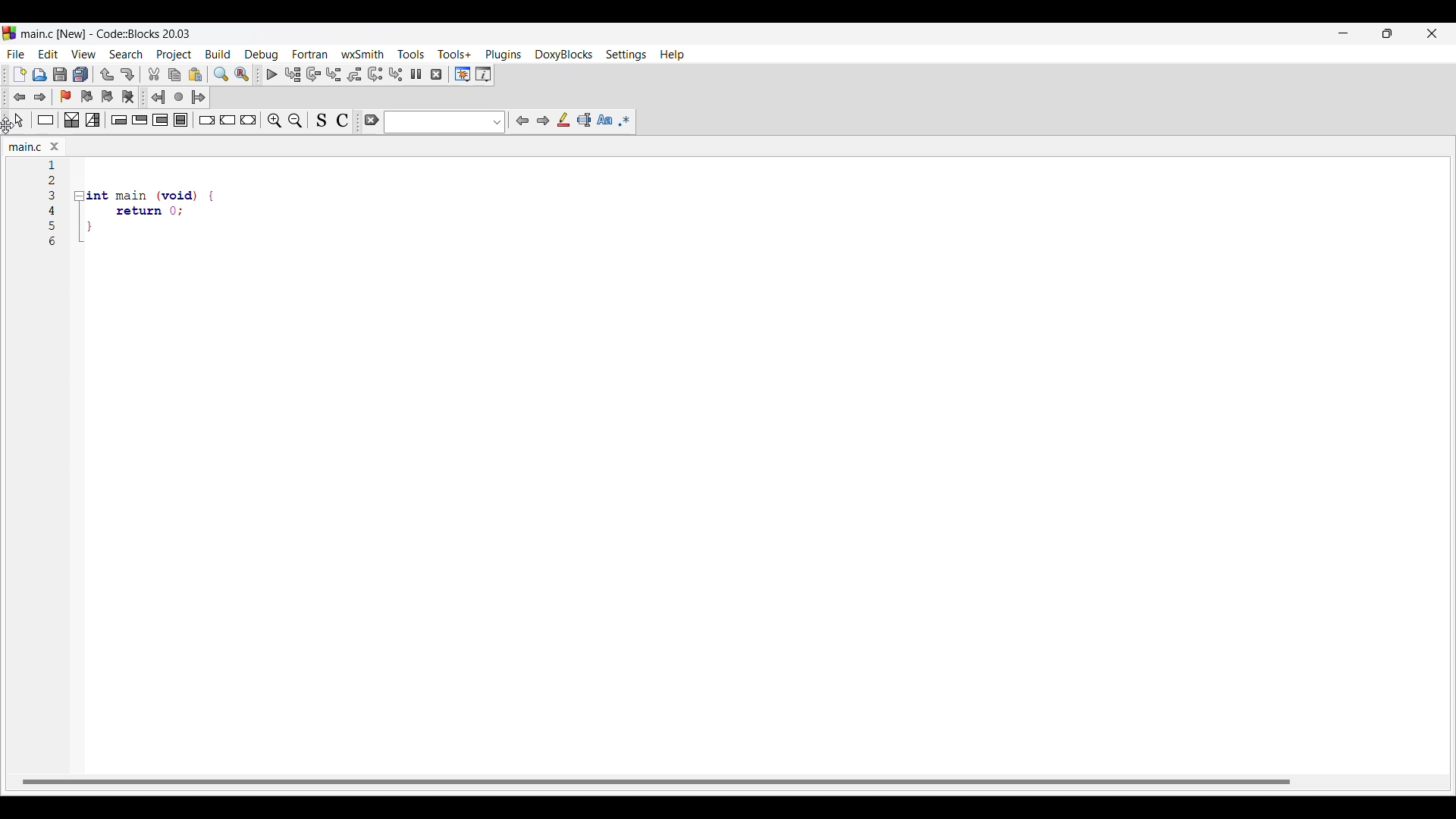  What do you see at coordinates (454, 54) in the screenshot?
I see `Tools+ menu` at bounding box center [454, 54].